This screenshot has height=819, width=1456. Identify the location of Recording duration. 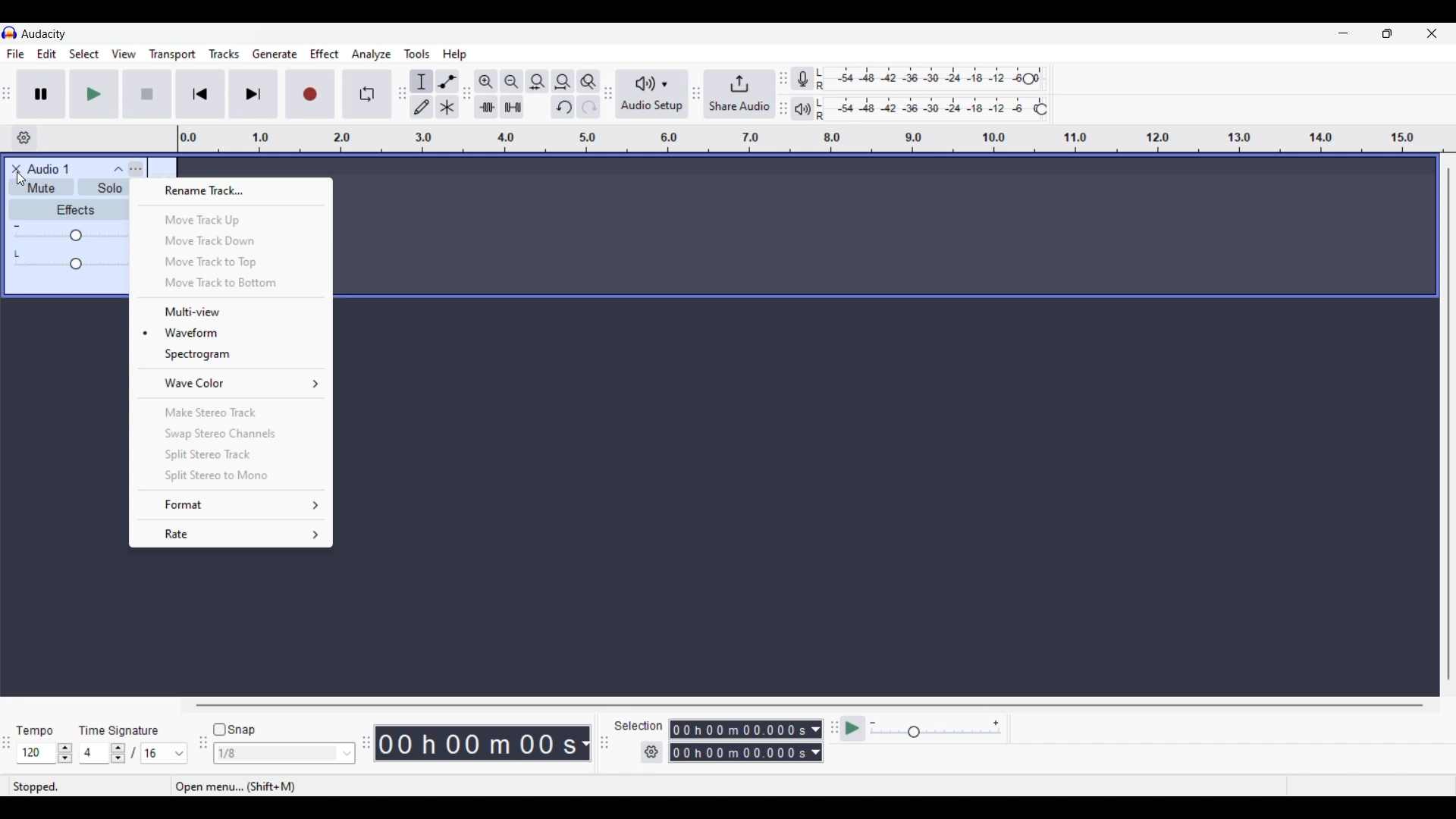
(737, 741).